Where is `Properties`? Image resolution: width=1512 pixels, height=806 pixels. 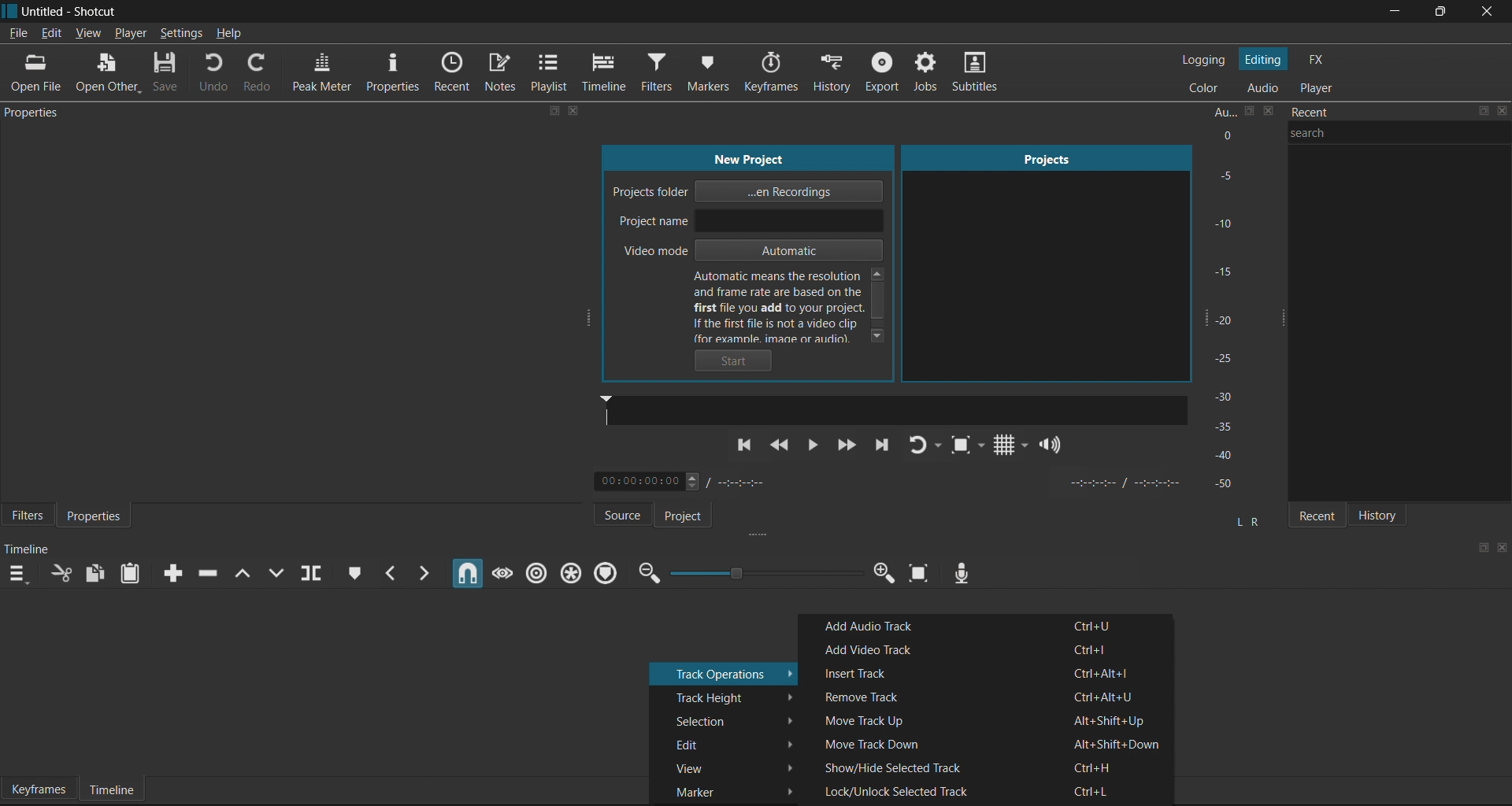 Properties is located at coordinates (393, 72).